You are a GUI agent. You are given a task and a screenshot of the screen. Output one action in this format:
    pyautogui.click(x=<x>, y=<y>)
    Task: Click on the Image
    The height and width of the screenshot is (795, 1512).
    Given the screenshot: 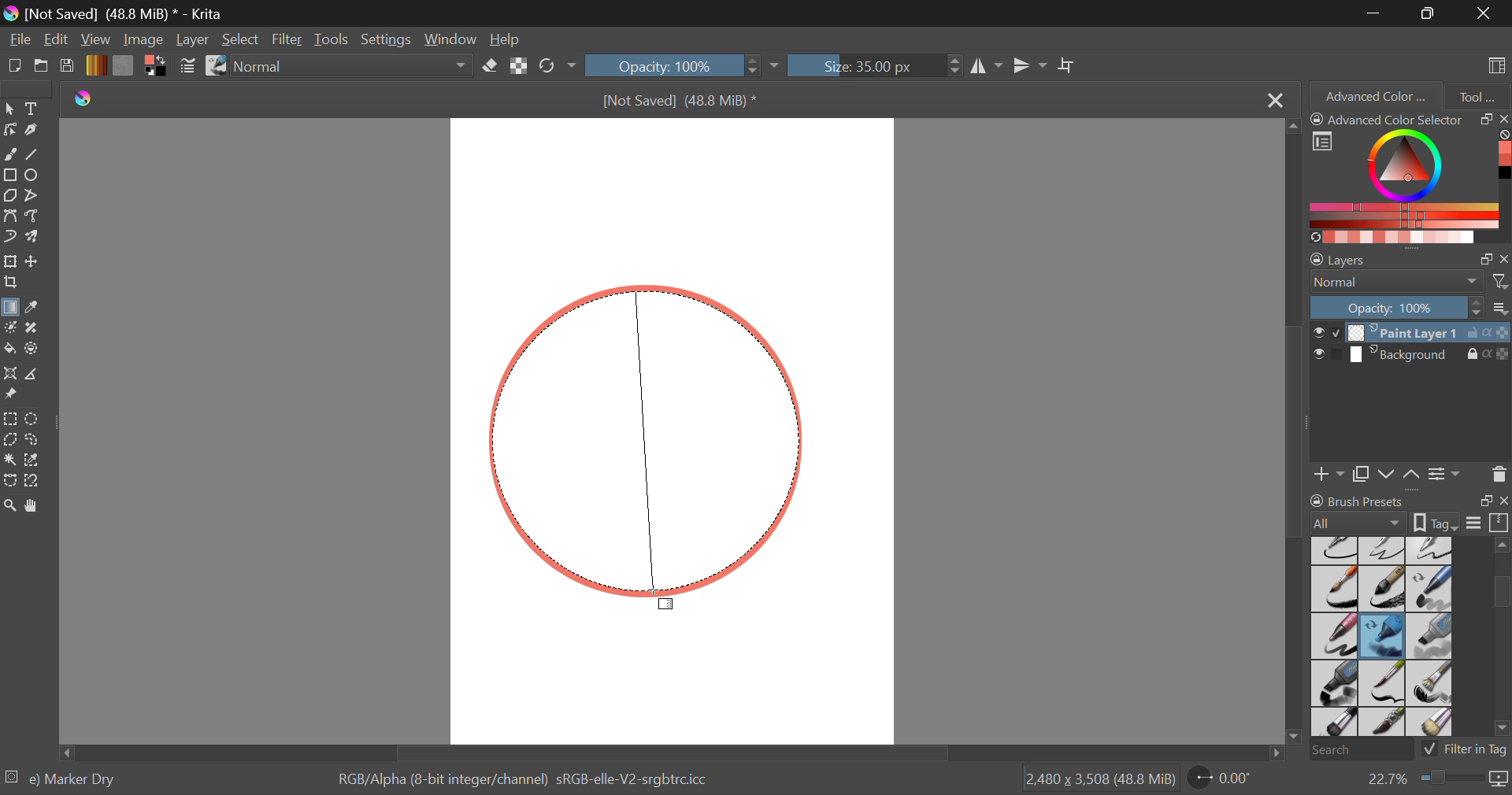 What is the action you would take?
    pyautogui.click(x=145, y=39)
    